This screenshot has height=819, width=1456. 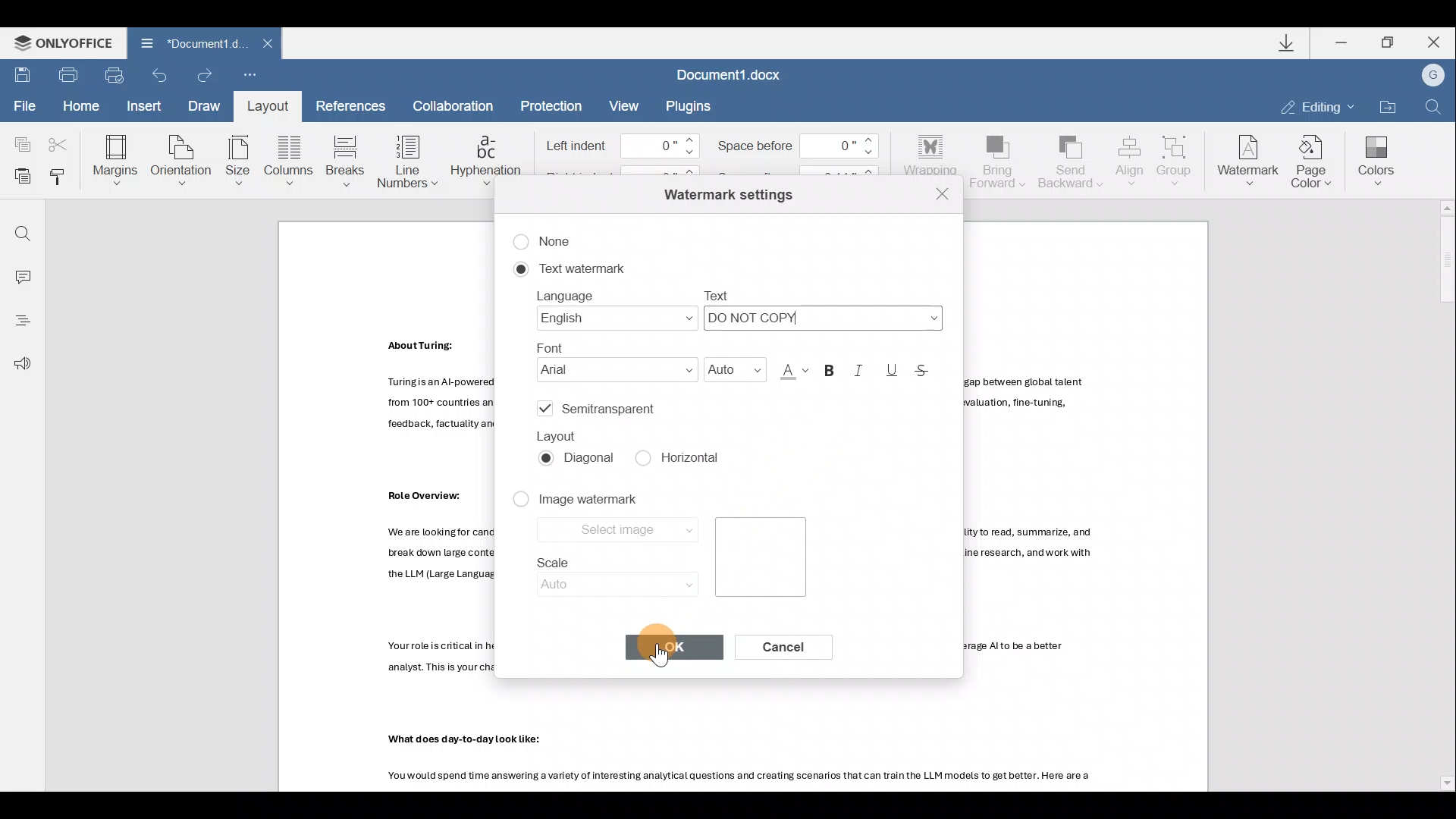 I want to click on Find, so click(x=1433, y=105).